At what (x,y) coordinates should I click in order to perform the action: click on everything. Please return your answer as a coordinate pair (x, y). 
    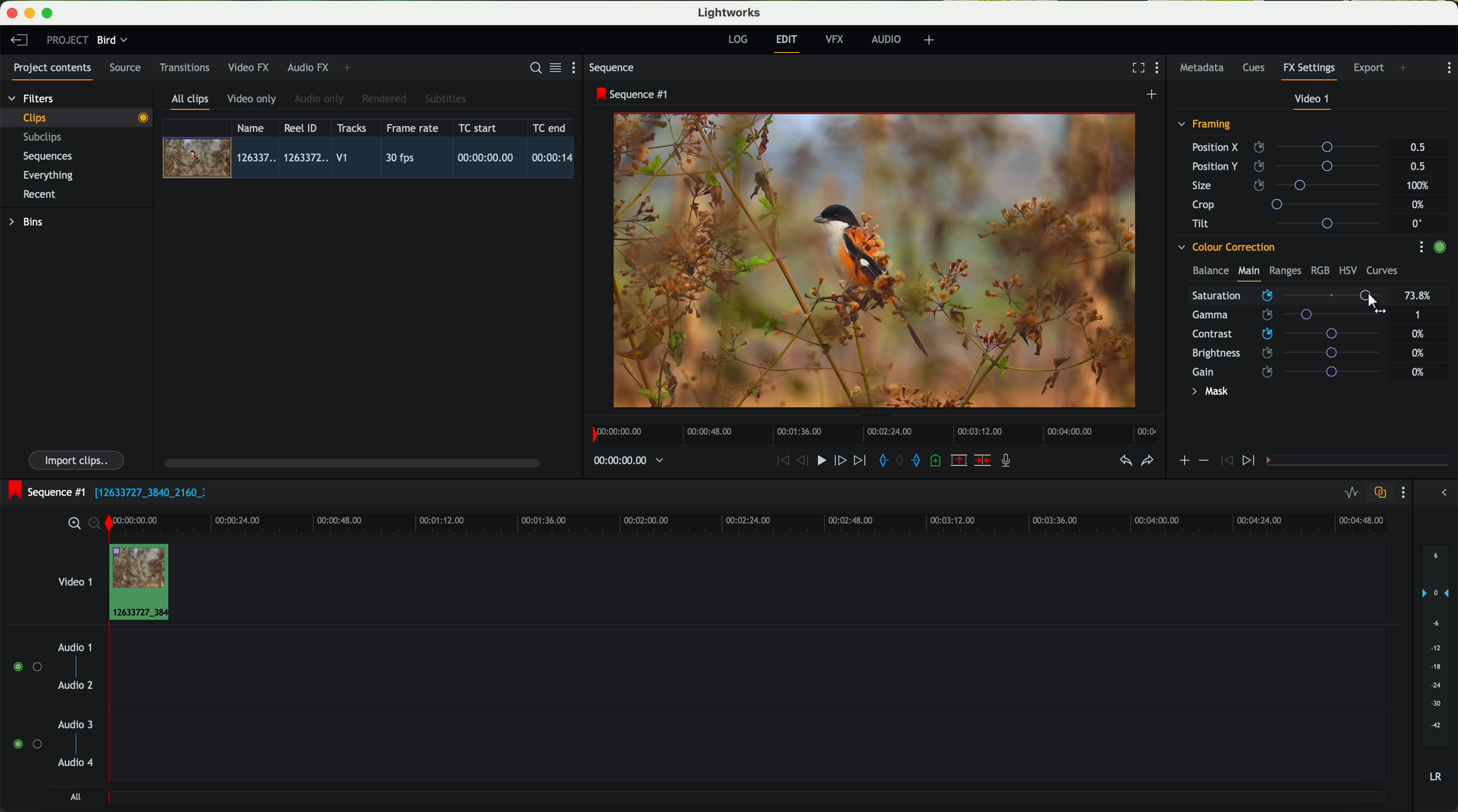
    Looking at the image, I should click on (49, 175).